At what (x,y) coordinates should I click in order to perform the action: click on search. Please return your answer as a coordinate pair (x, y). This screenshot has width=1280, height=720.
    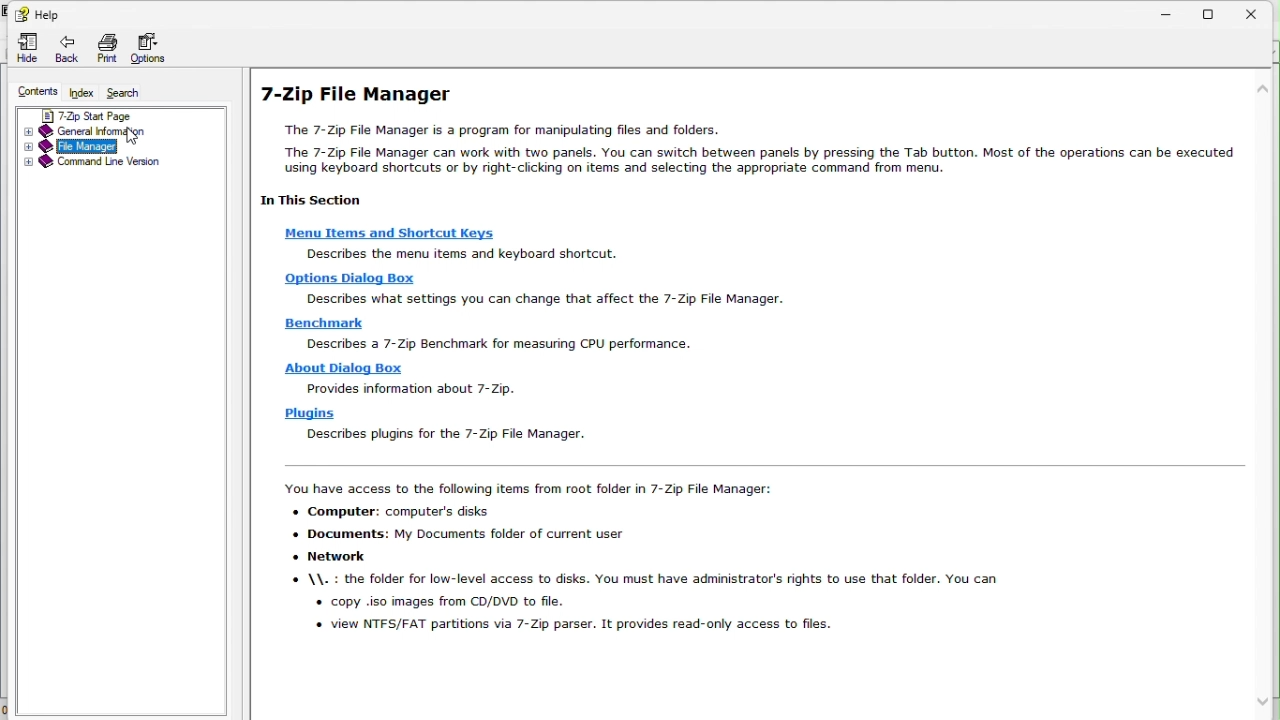
    Looking at the image, I should click on (132, 94).